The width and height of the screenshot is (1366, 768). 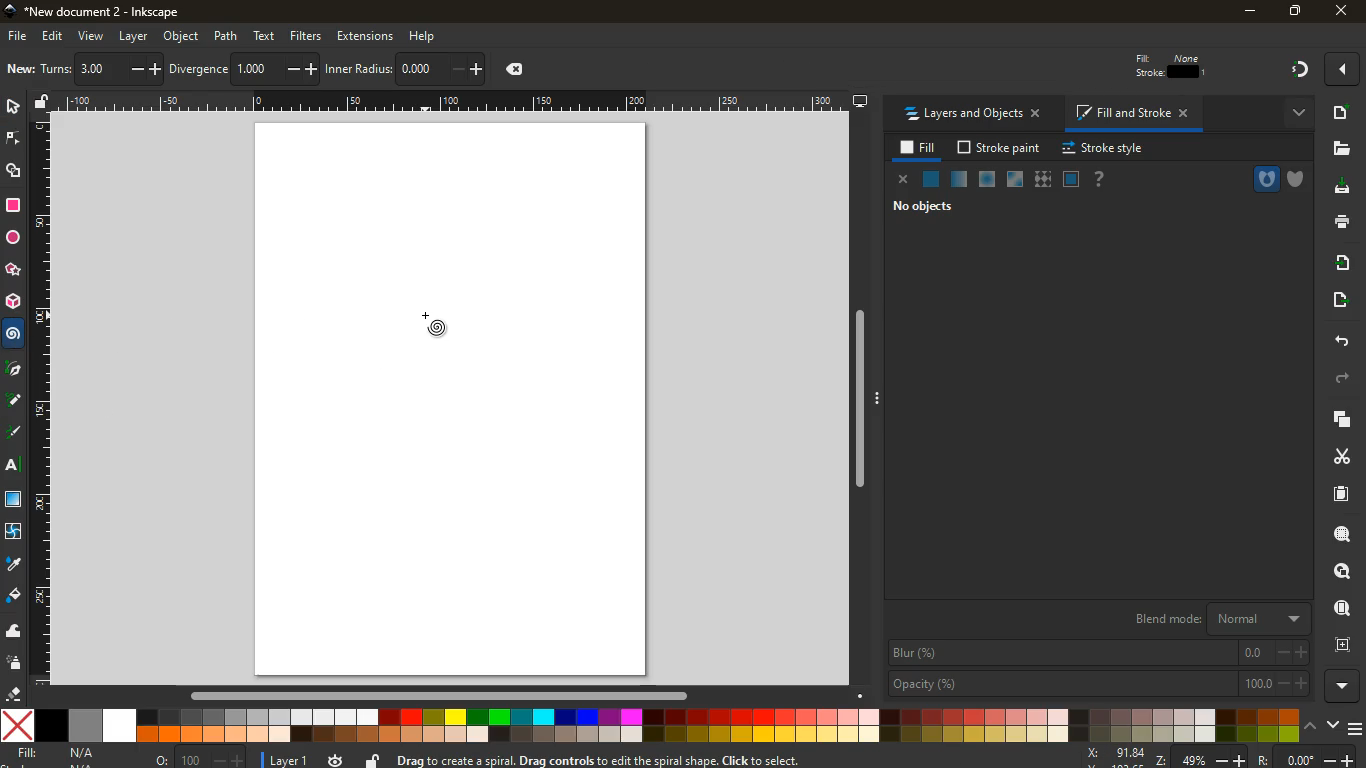 What do you see at coordinates (307, 34) in the screenshot?
I see `filters` at bounding box center [307, 34].